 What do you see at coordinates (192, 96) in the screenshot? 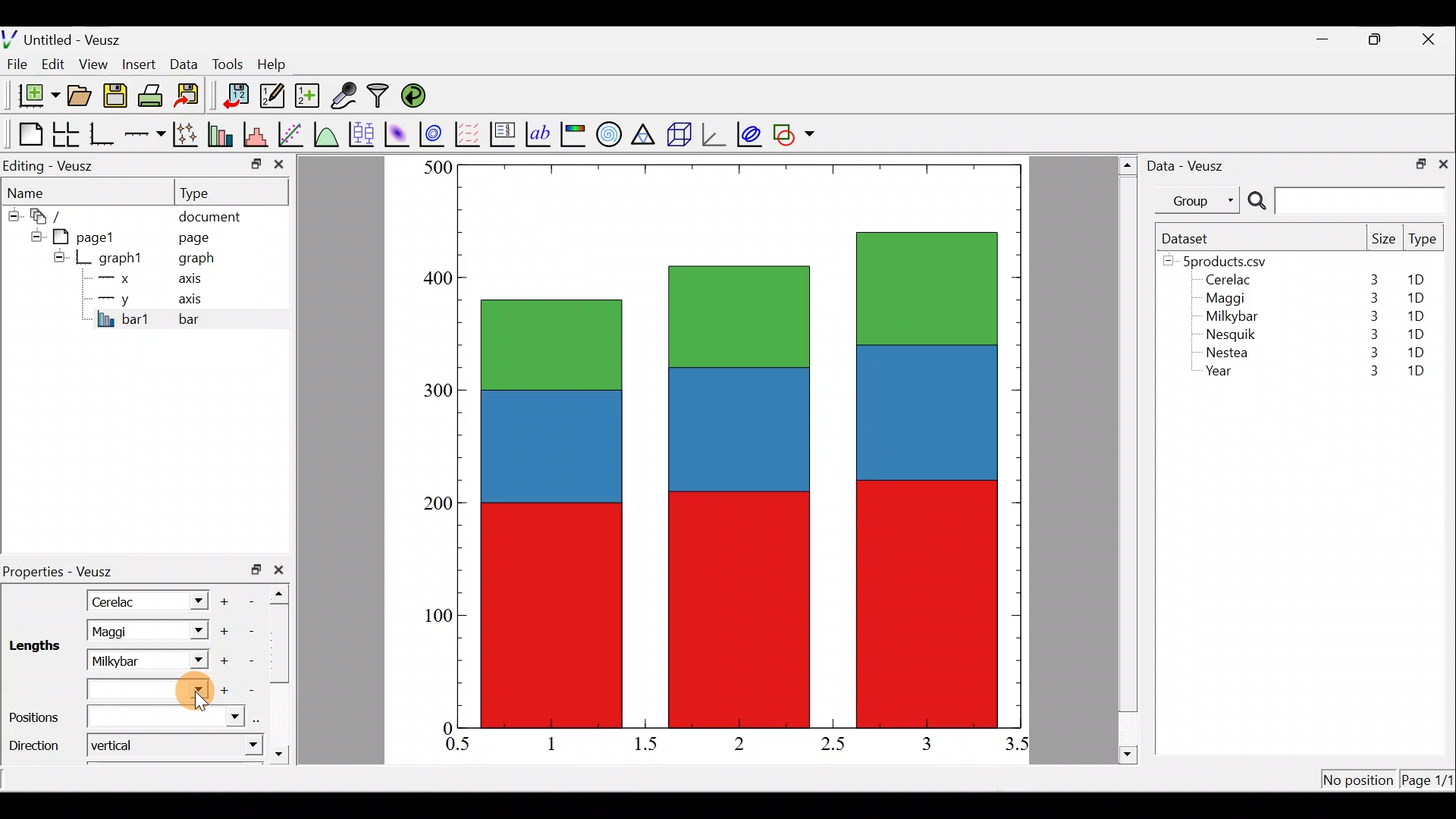
I see `Export to graphics format` at bounding box center [192, 96].